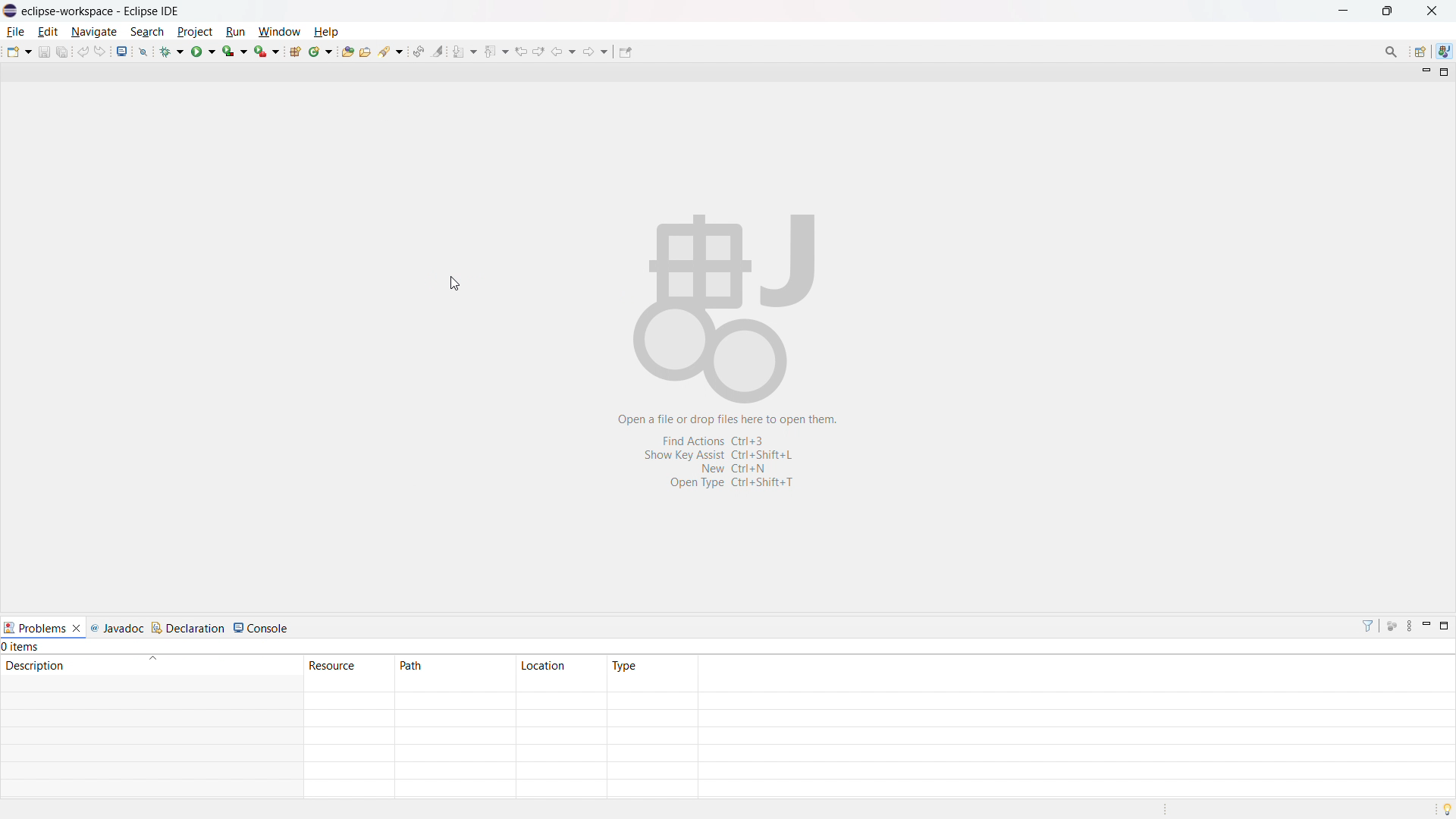  What do you see at coordinates (262, 629) in the screenshot?
I see `console` at bounding box center [262, 629].